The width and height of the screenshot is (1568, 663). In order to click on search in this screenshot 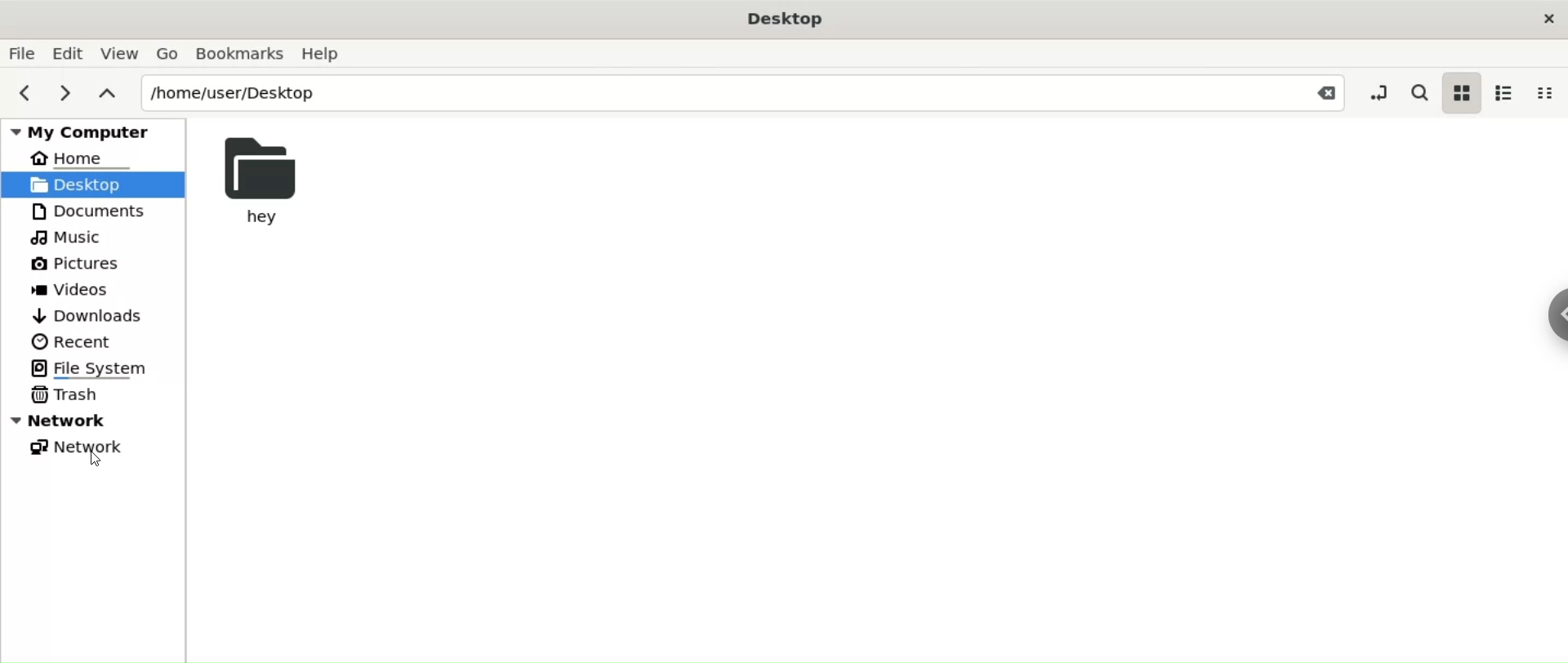, I will do `click(1417, 92)`.